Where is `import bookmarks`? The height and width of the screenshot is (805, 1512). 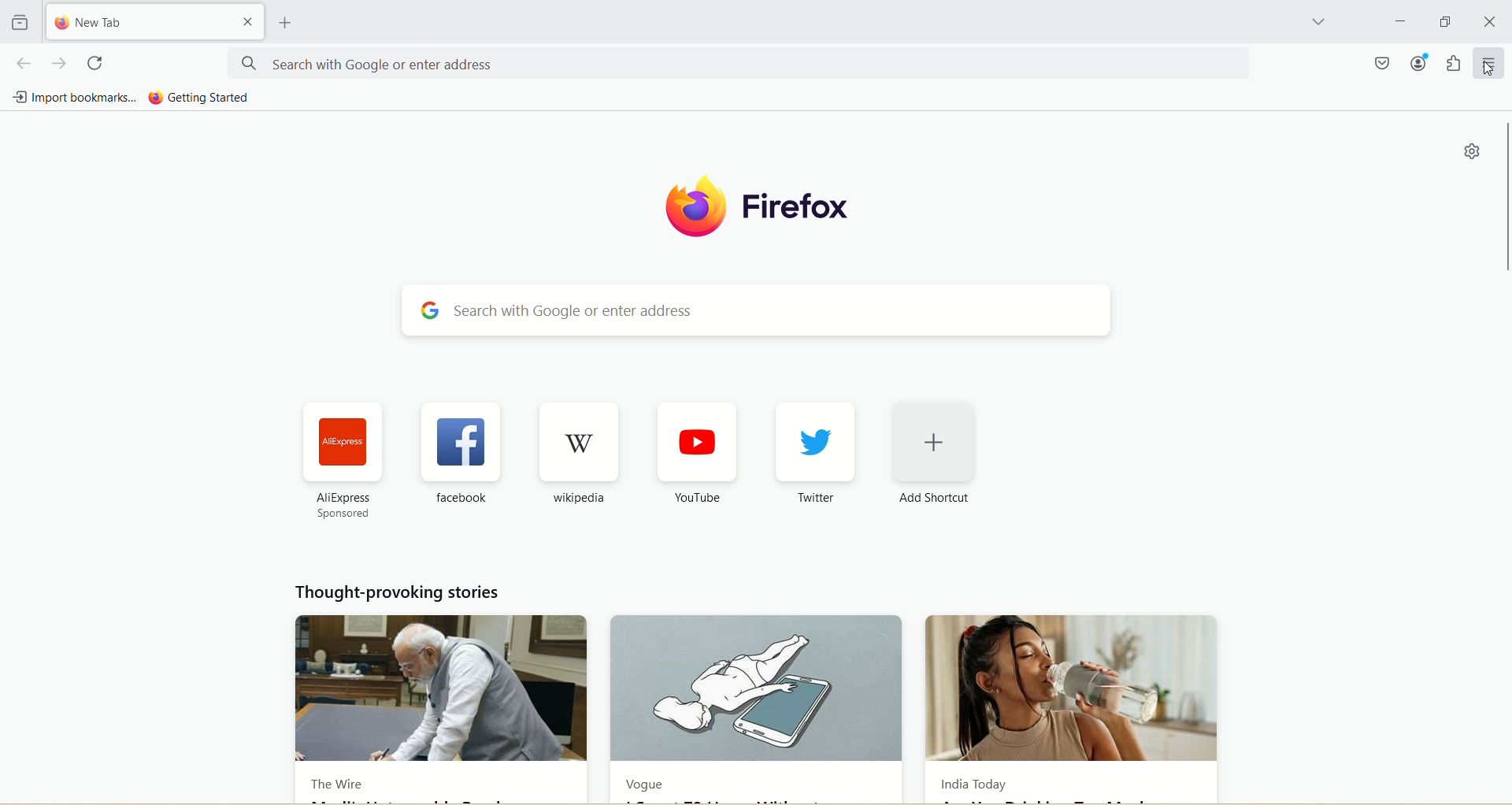
import bookmarks is located at coordinates (75, 98).